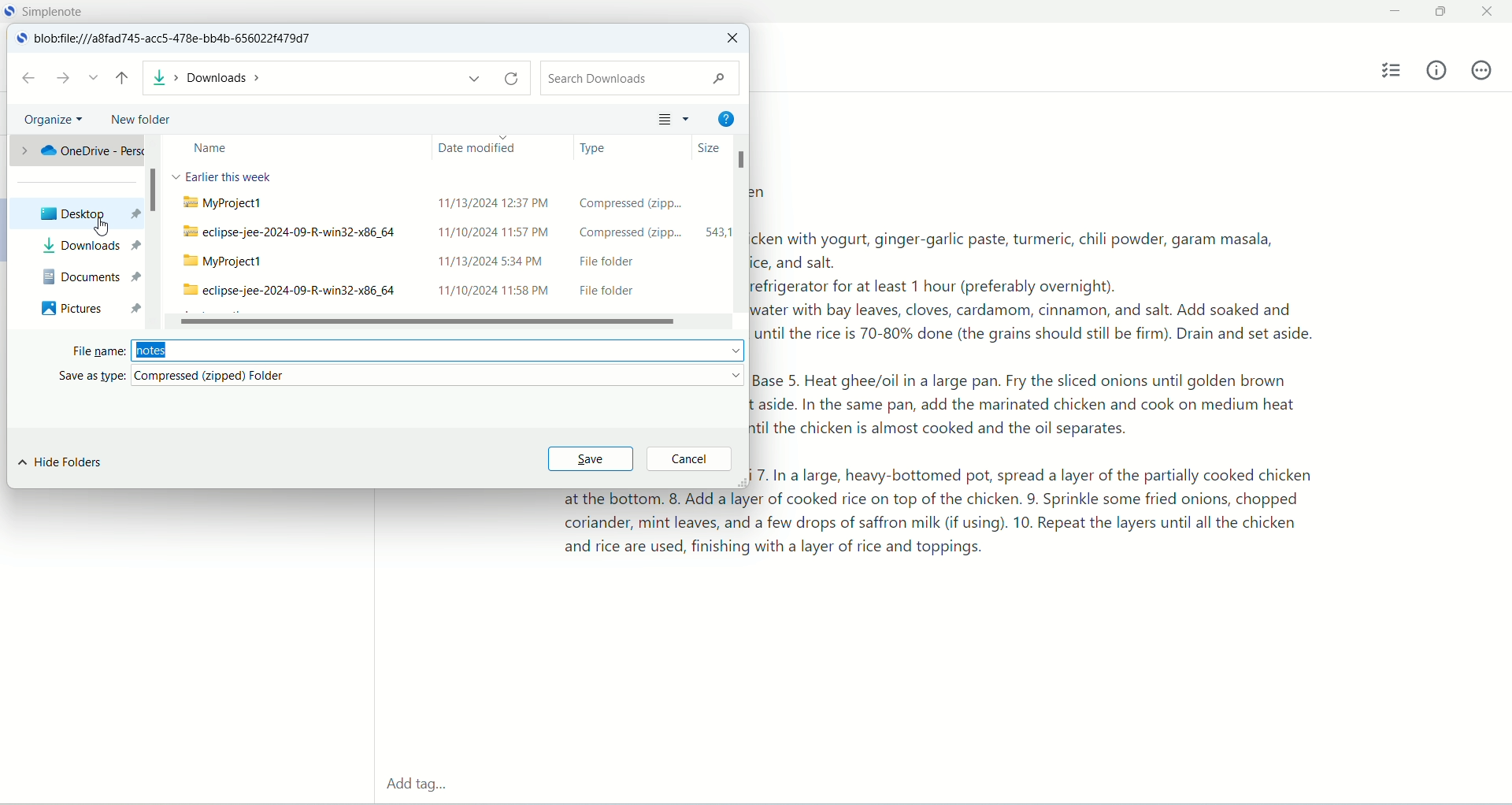  What do you see at coordinates (587, 459) in the screenshot?
I see `save` at bounding box center [587, 459].